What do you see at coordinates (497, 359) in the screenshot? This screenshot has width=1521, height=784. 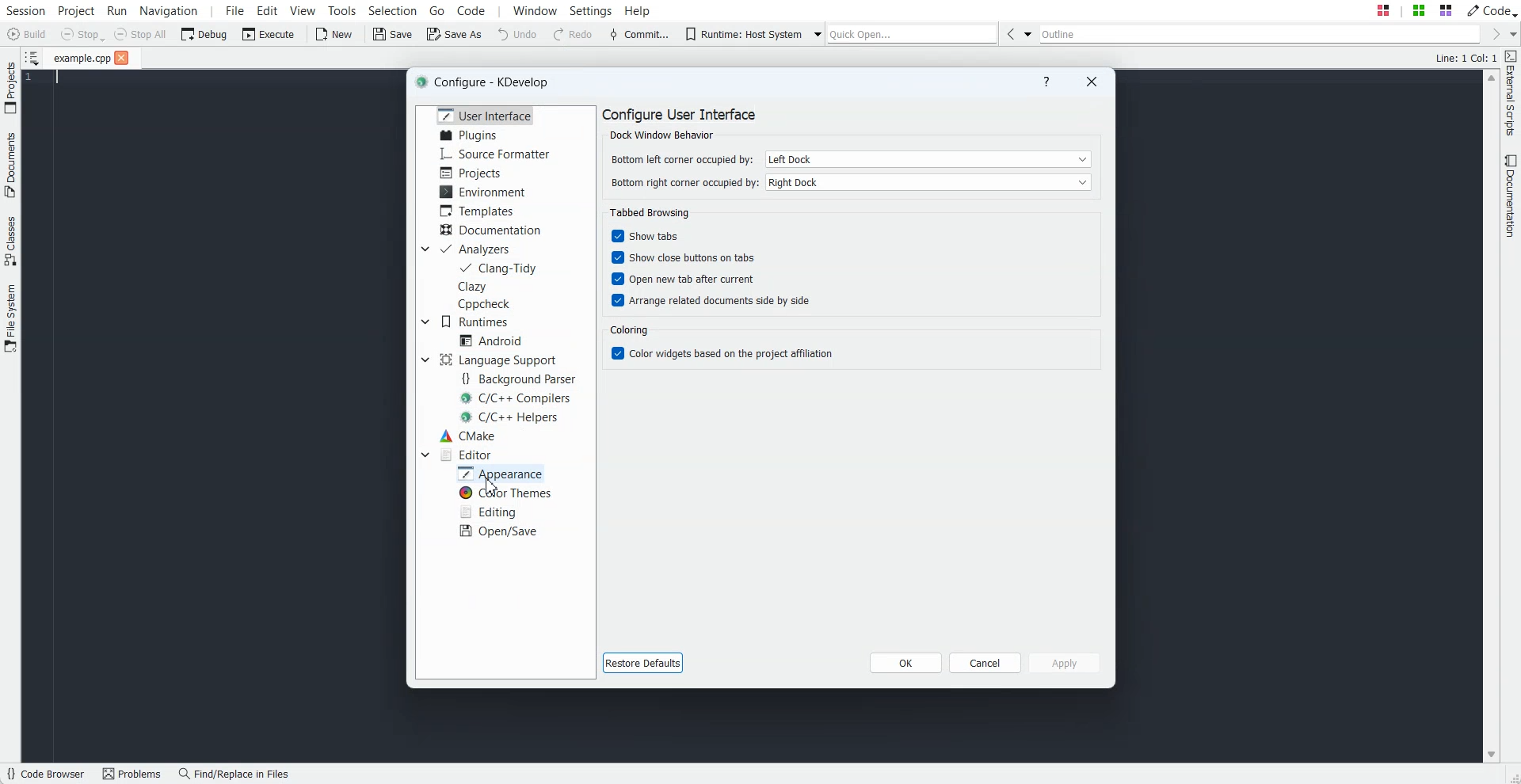 I see `Language Support` at bounding box center [497, 359].